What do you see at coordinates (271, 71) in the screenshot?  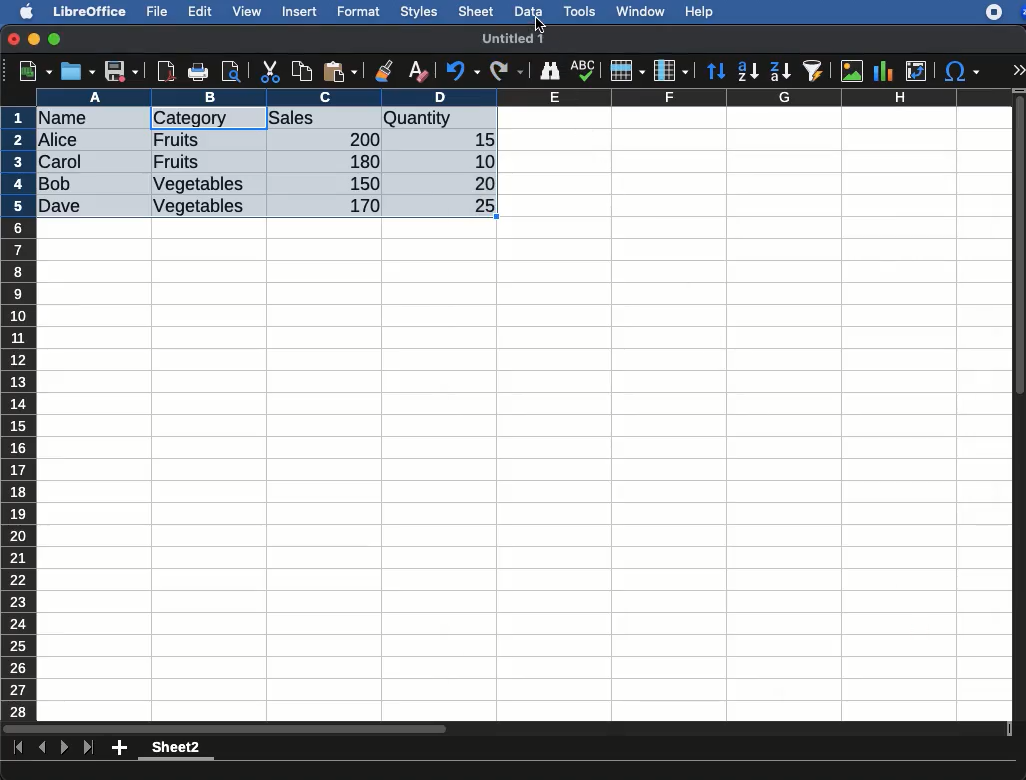 I see `cut` at bounding box center [271, 71].